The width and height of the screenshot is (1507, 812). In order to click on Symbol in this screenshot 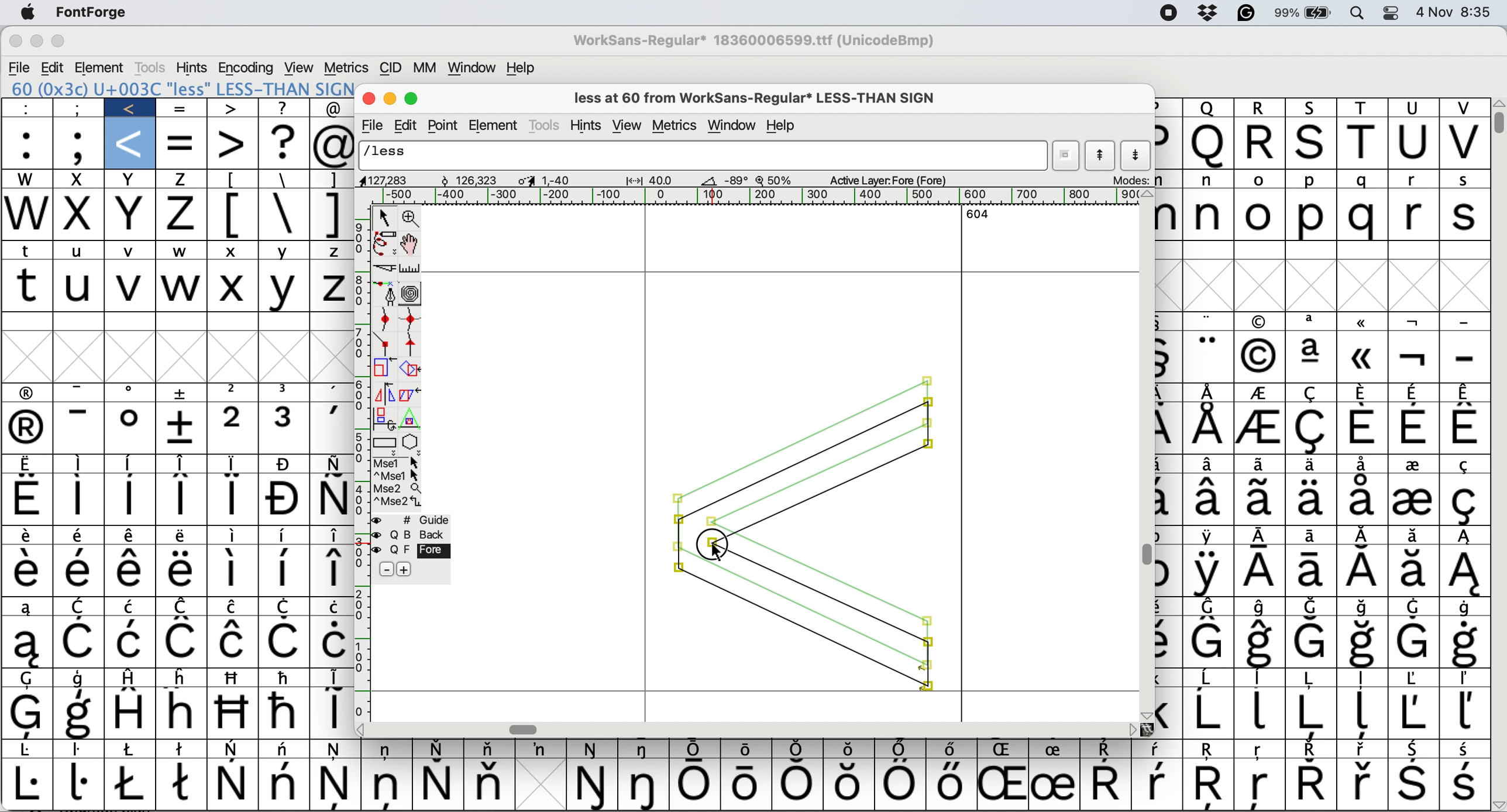, I will do `click(1169, 714)`.